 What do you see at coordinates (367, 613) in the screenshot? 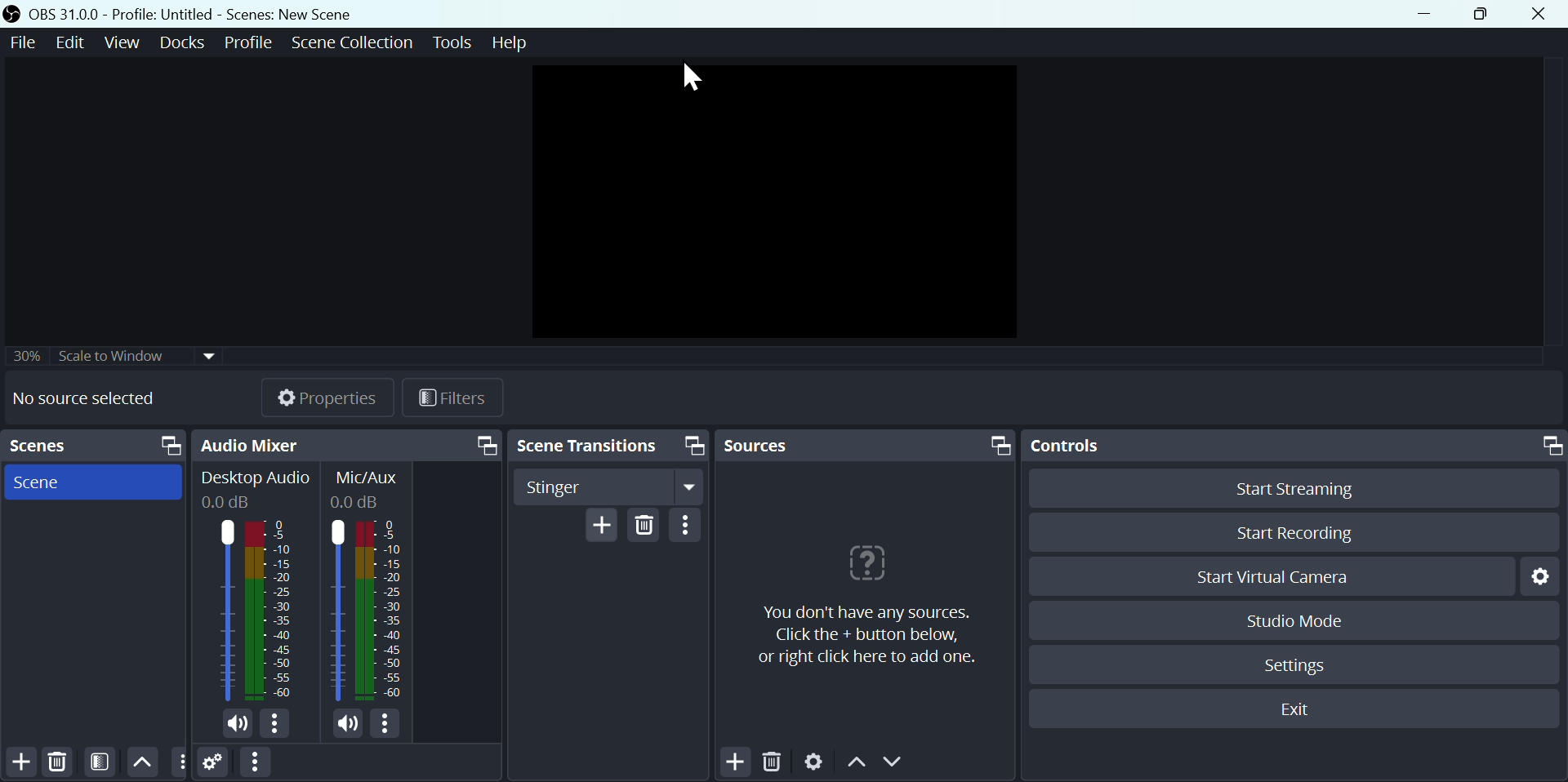
I see `Audio bar` at bounding box center [367, 613].